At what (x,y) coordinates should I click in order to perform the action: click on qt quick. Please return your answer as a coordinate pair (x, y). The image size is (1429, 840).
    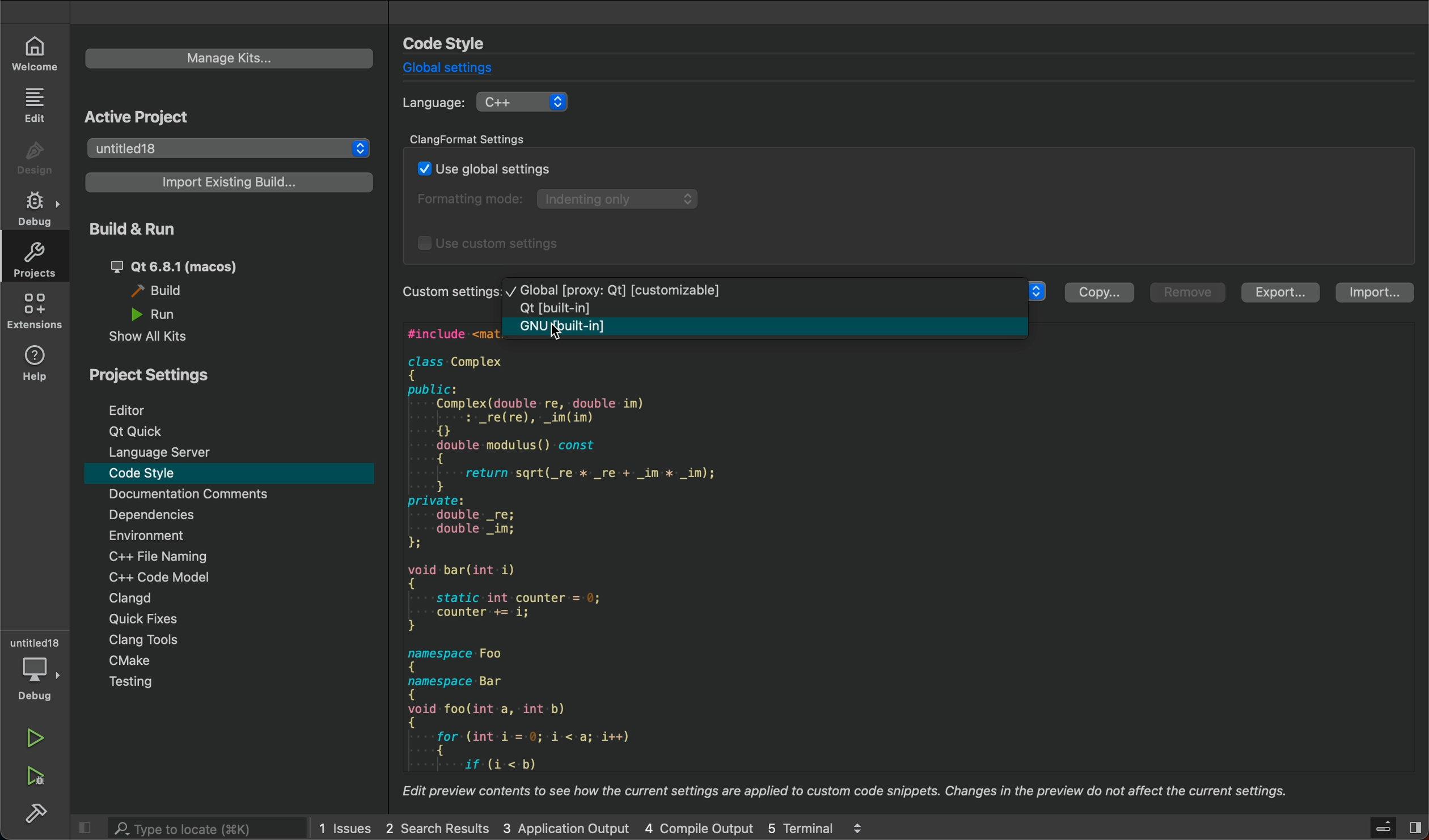
    Looking at the image, I should click on (136, 431).